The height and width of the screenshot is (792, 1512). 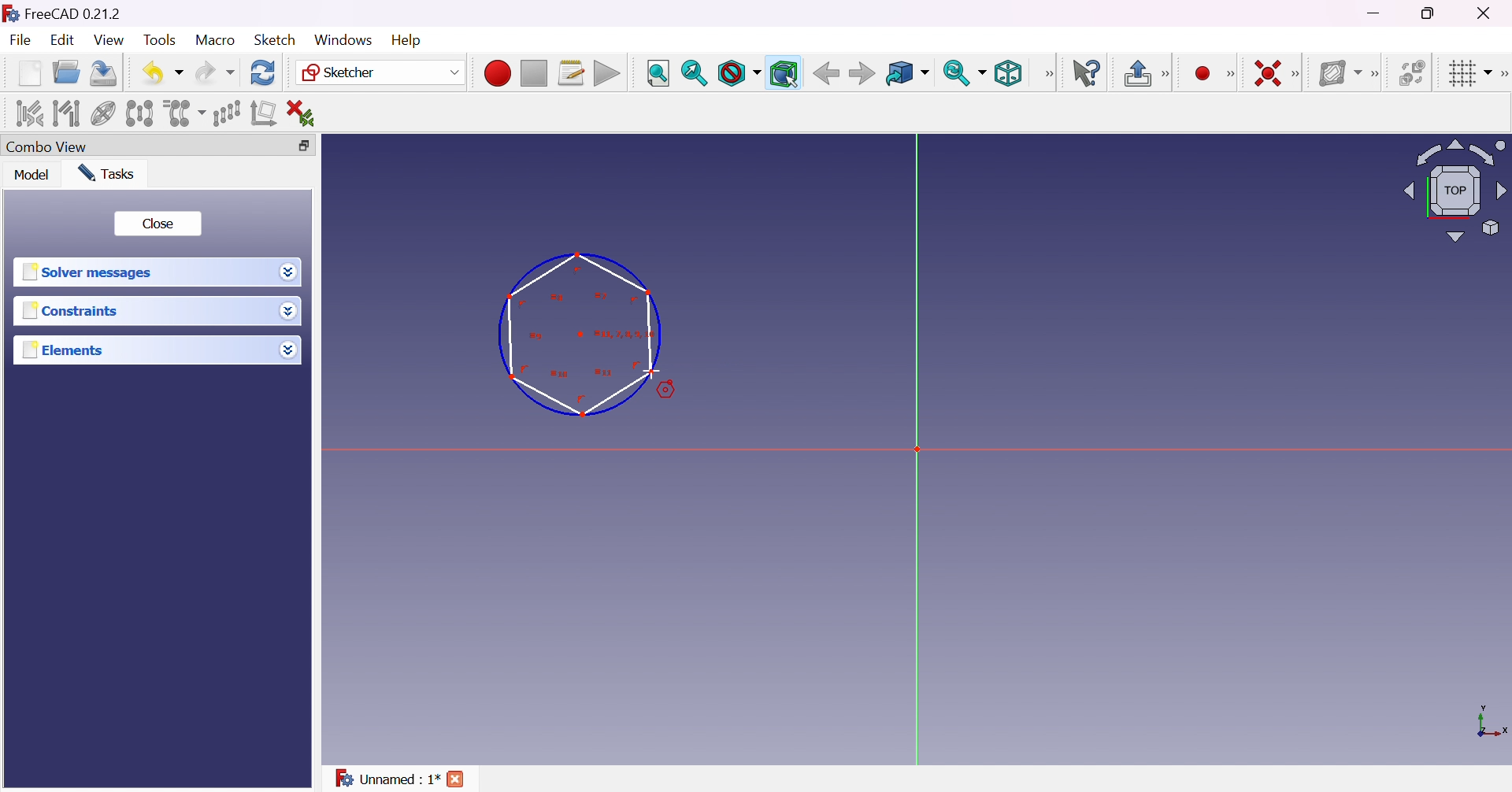 What do you see at coordinates (583, 337) in the screenshot?
I see `Polygon` at bounding box center [583, 337].